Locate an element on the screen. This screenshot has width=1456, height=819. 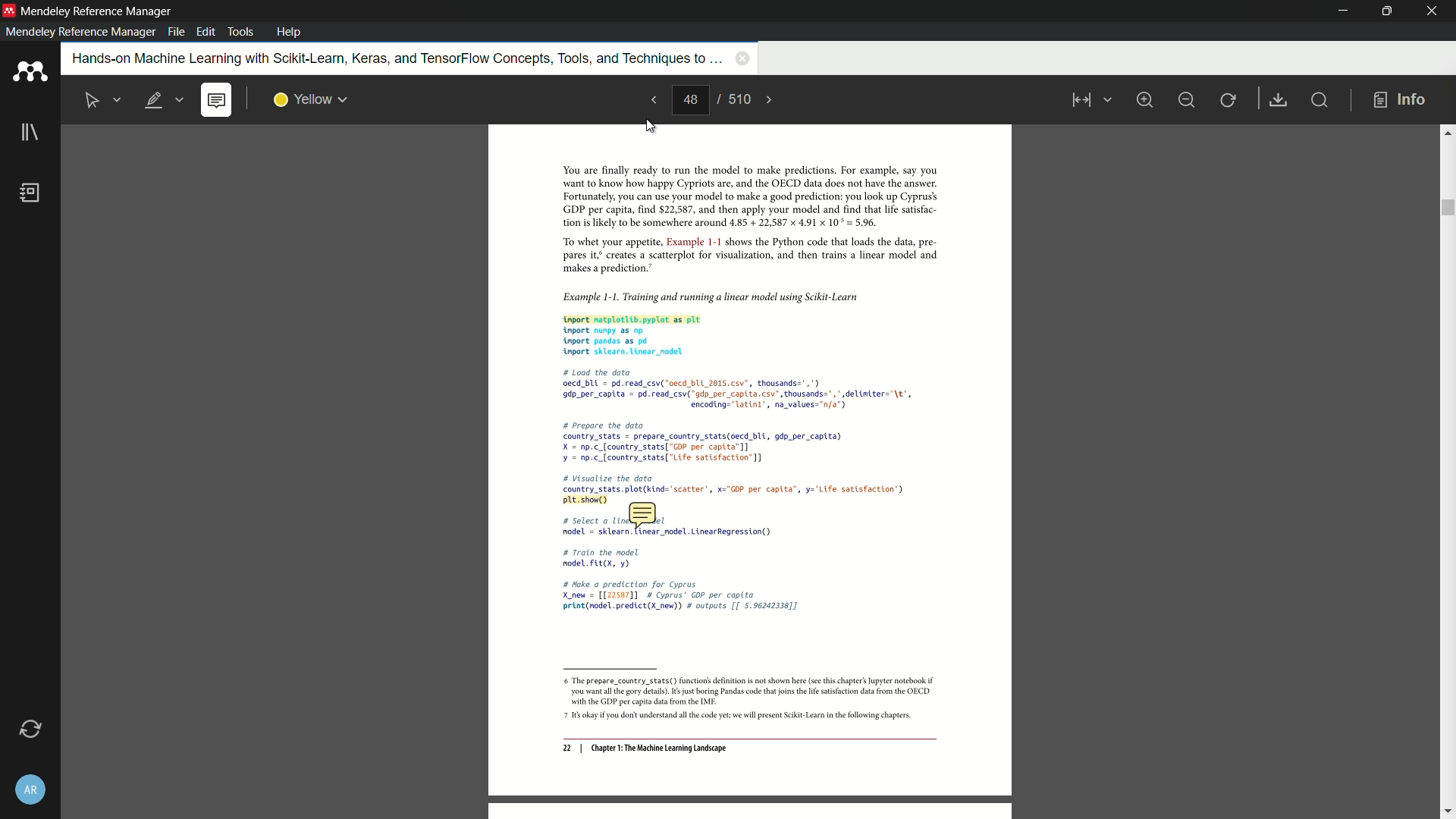
add note is located at coordinates (215, 101).